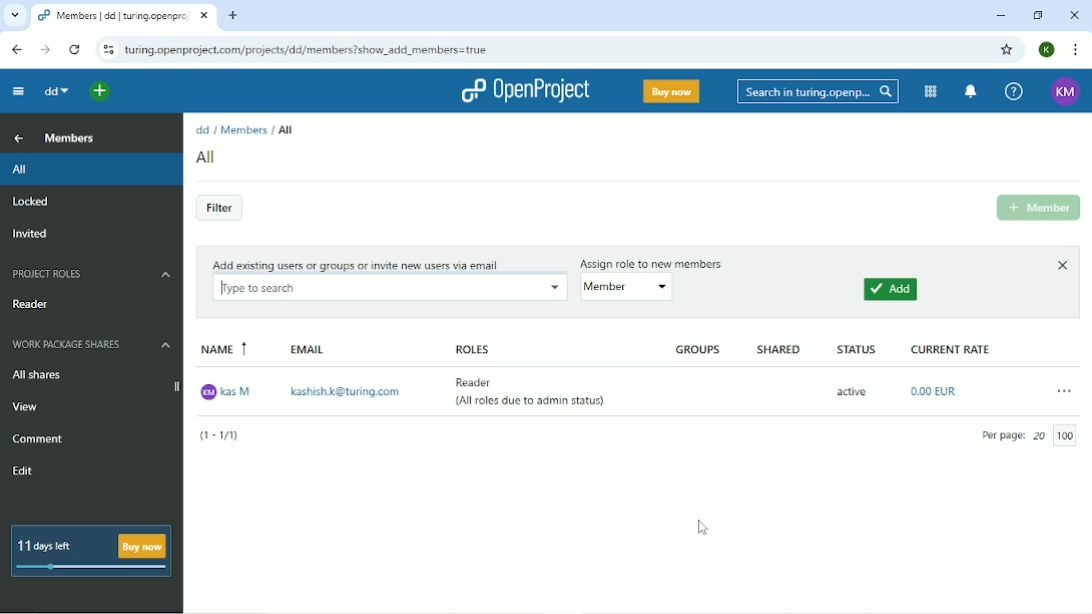  Describe the element at coordinates (225, 392) in the screenshot. I see `kas M` at that location.